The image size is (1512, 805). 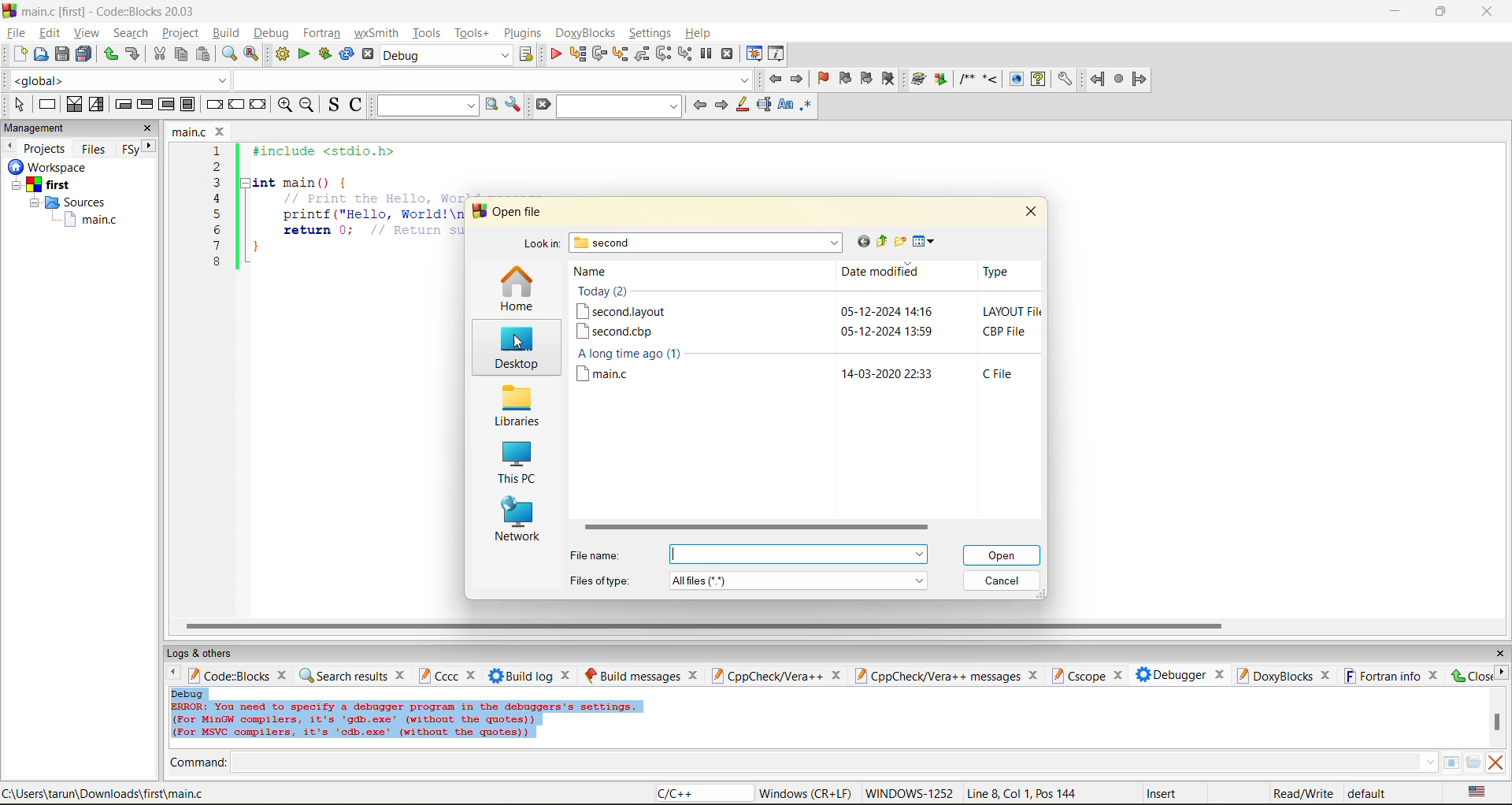 What do you see at coordinates (598, 54) in the screenshot?
I see `next line` at bounding box center [598, 54].